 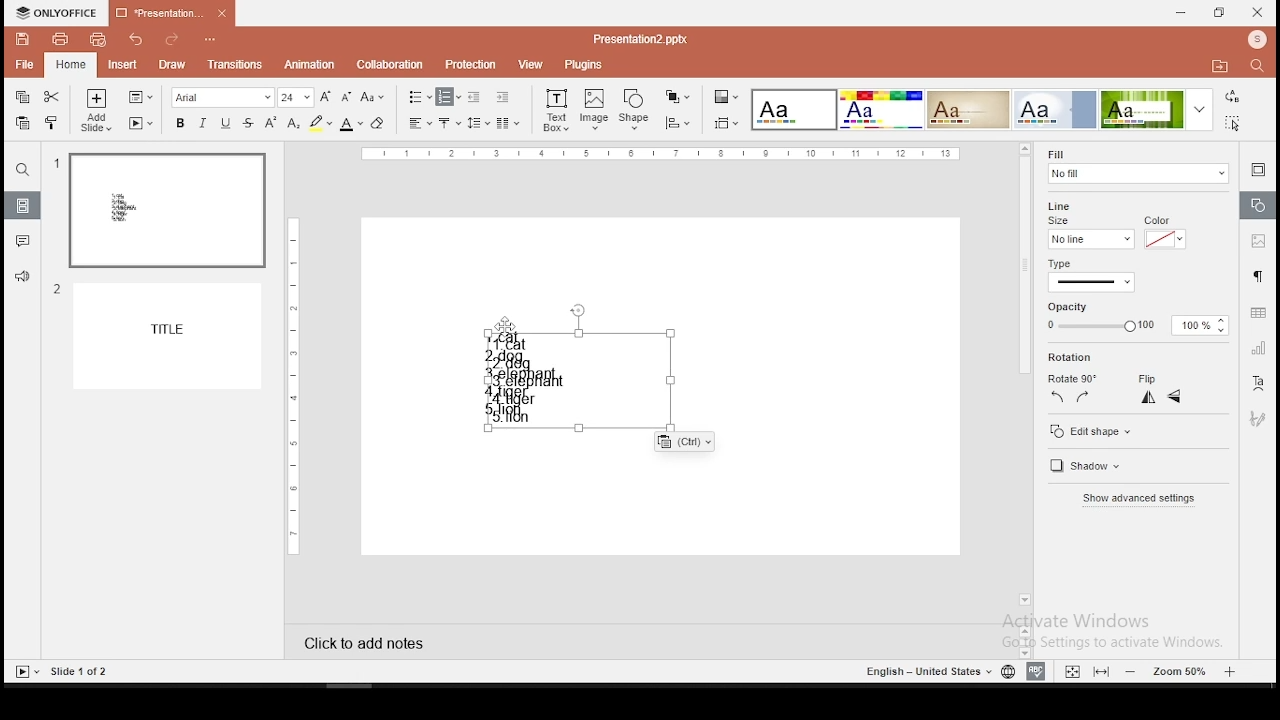 What do you see at coordinates (1102, 672) in the screenshot?
I see `fit to width` at bounding box center [1102, 672].